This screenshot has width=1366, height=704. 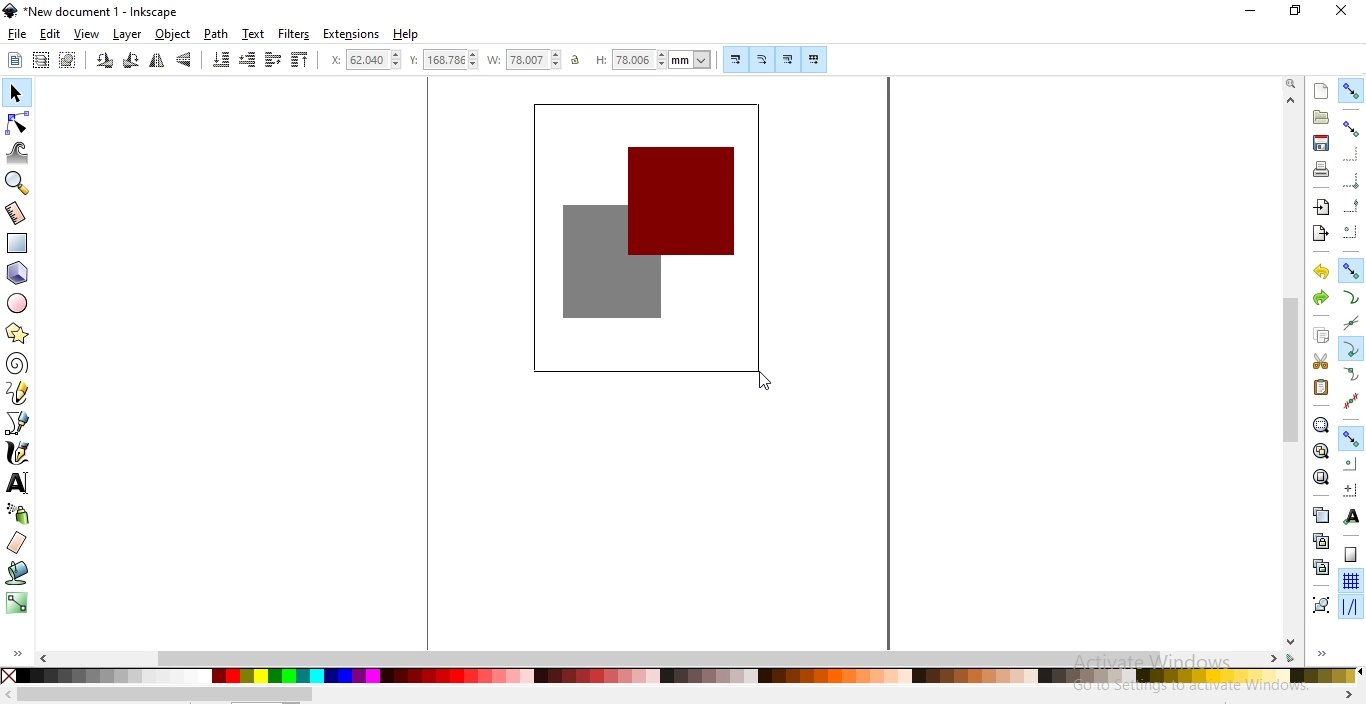 I want to click on create duplicate, so click(x=1319, y=514).